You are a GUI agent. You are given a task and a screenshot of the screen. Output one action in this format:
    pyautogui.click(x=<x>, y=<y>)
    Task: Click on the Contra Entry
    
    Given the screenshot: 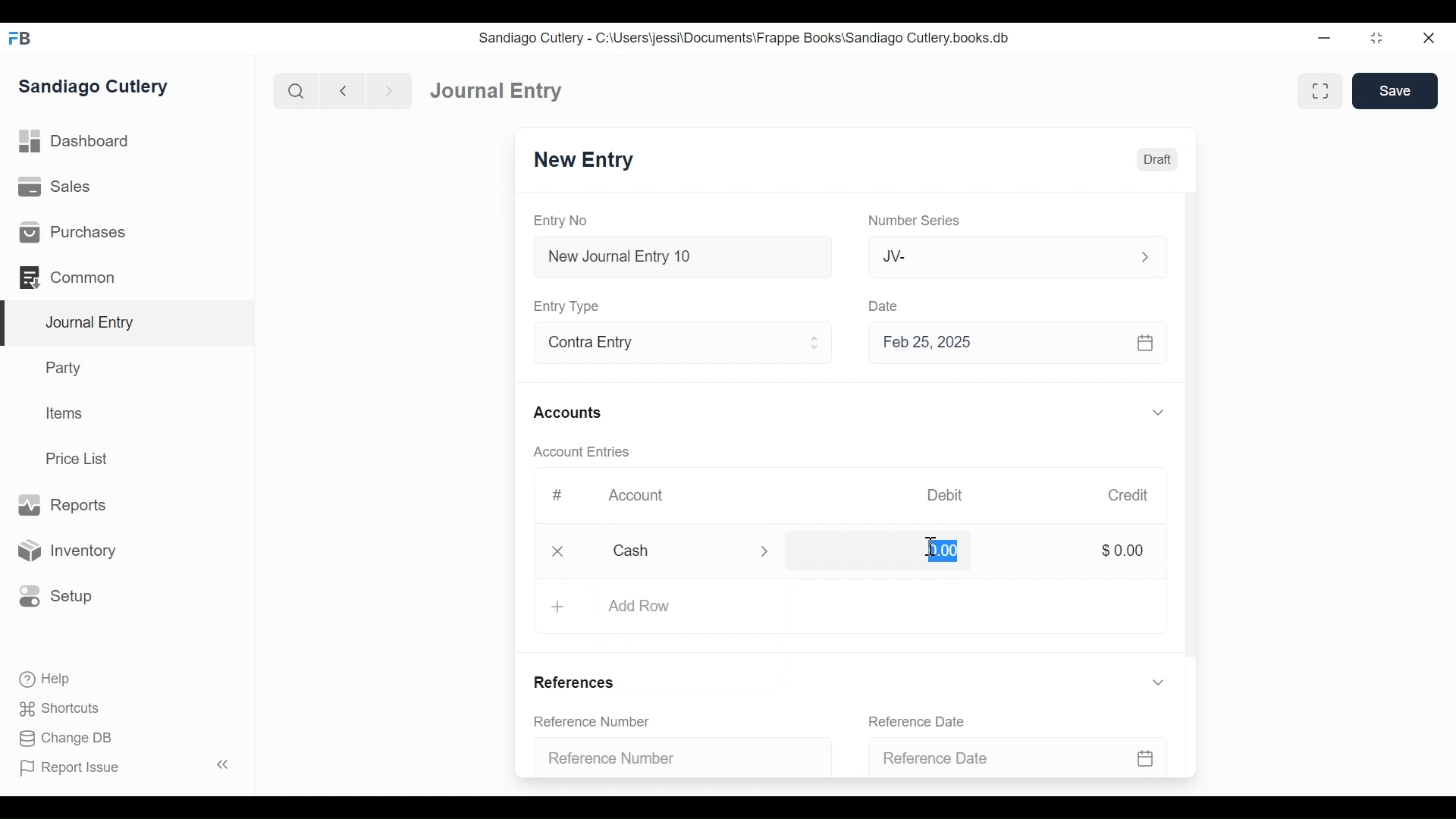 What is the action you would take?
    pyautogui.click(x=662, y=344)
    